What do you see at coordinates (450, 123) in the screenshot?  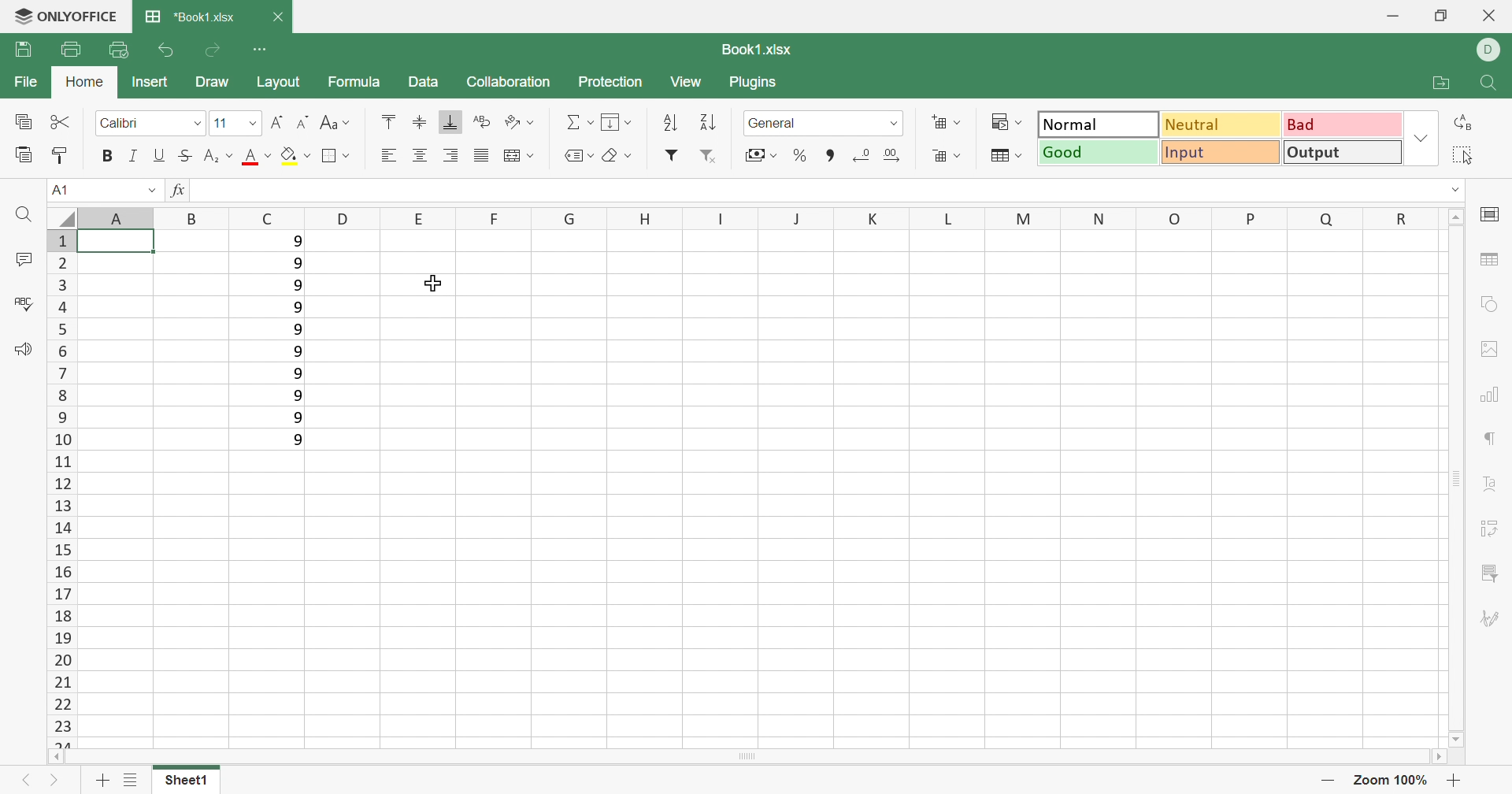 I see `Align Botton` at bounding box center [450, 123].